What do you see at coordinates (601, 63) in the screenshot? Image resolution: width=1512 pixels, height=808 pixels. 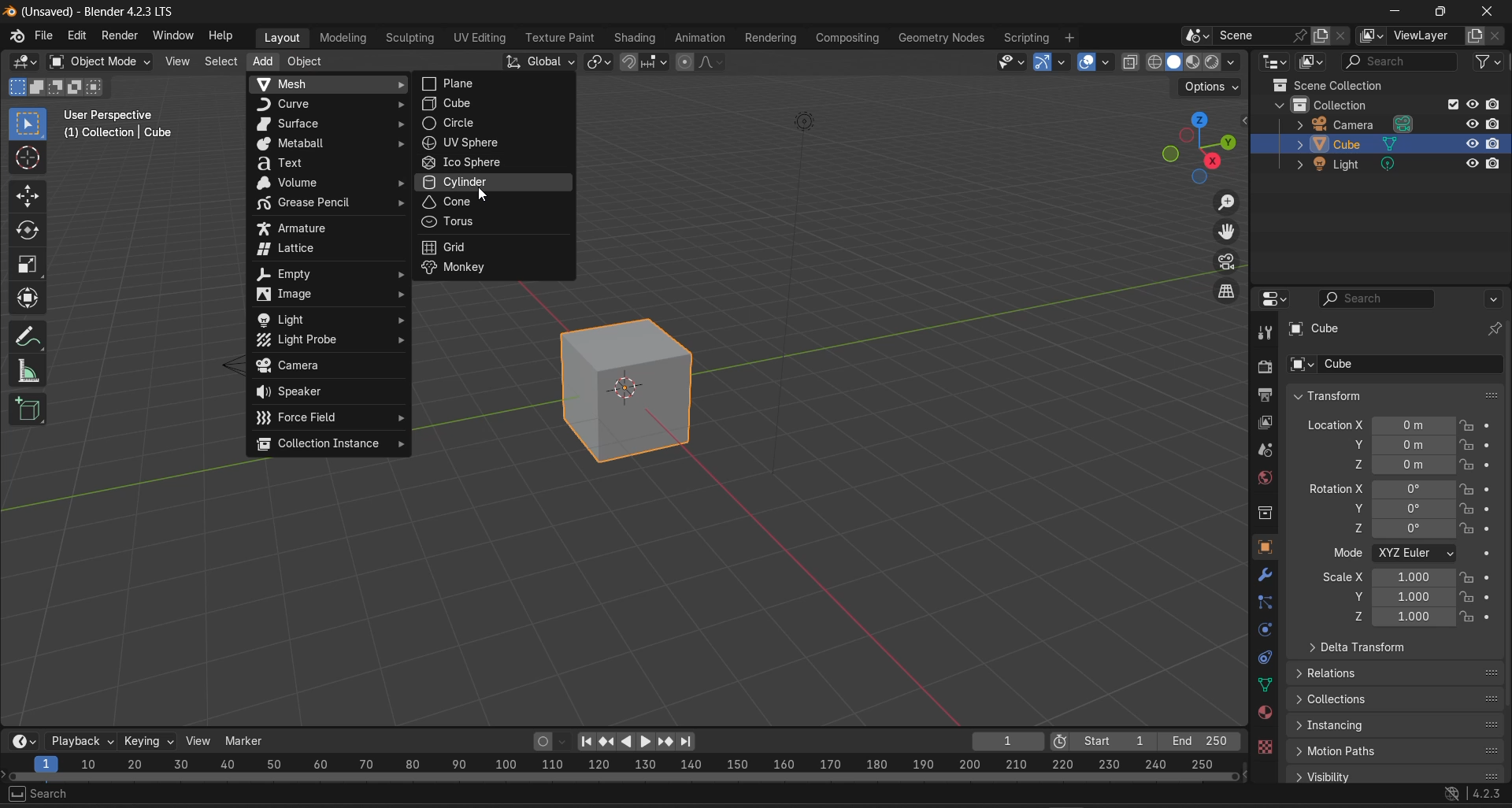 I see `transform pivot point` at bounding box center [601, 63].